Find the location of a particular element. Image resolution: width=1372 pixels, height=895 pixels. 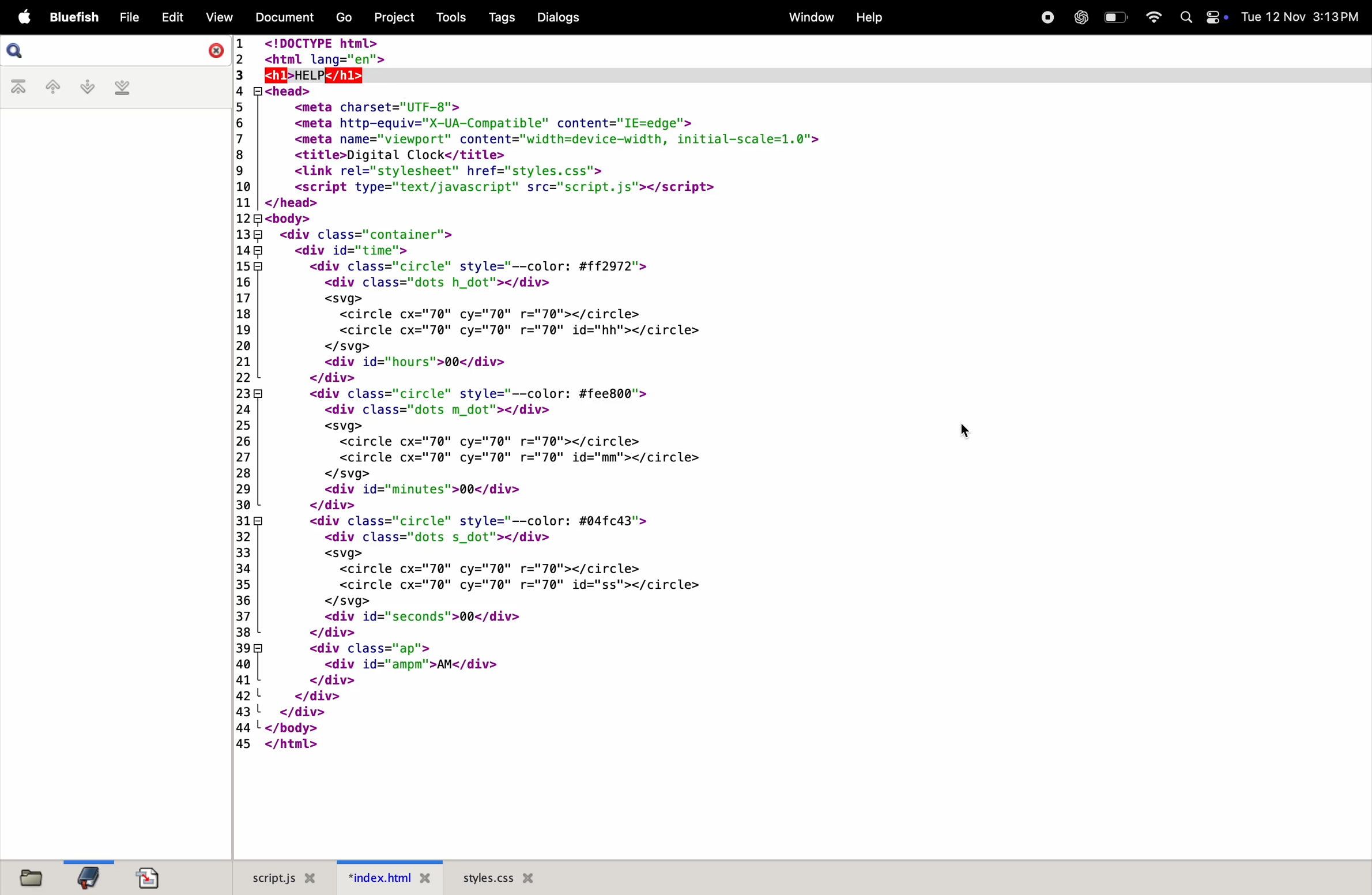

dialogs is located at coordinates (557, 17).